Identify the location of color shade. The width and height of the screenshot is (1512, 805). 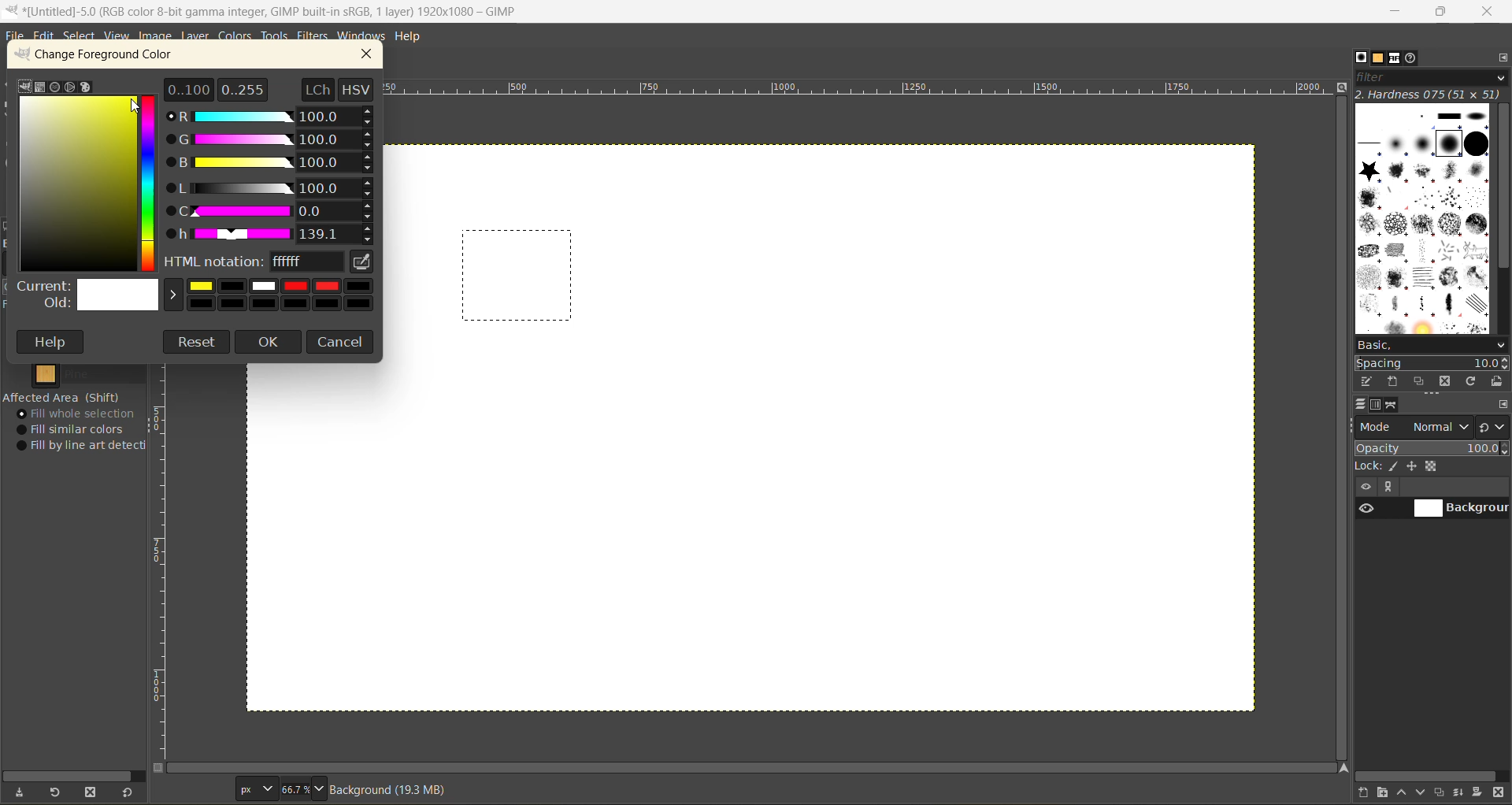
(78, 184).